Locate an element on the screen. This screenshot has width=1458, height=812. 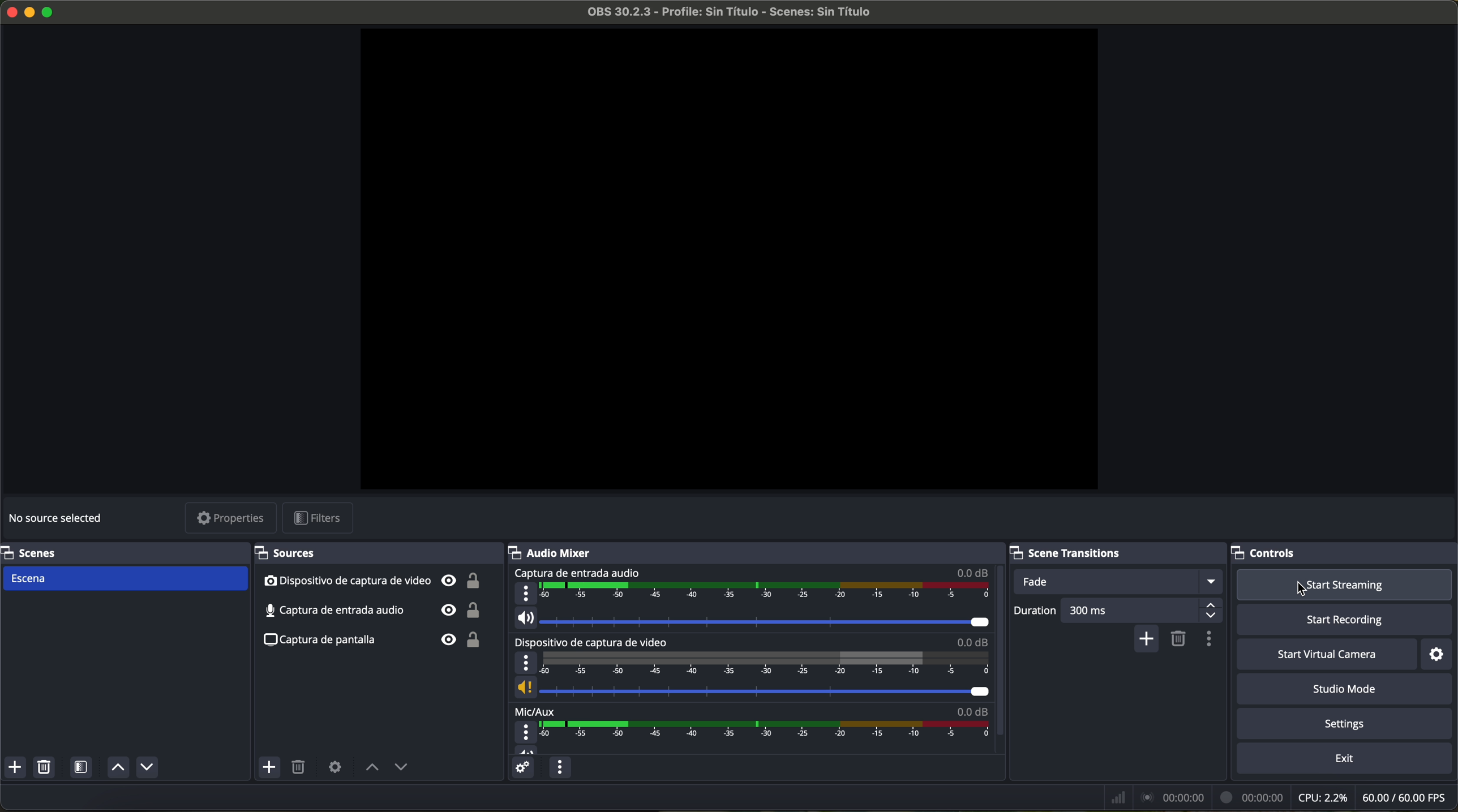
settings is located at coordinates (1438, 655).